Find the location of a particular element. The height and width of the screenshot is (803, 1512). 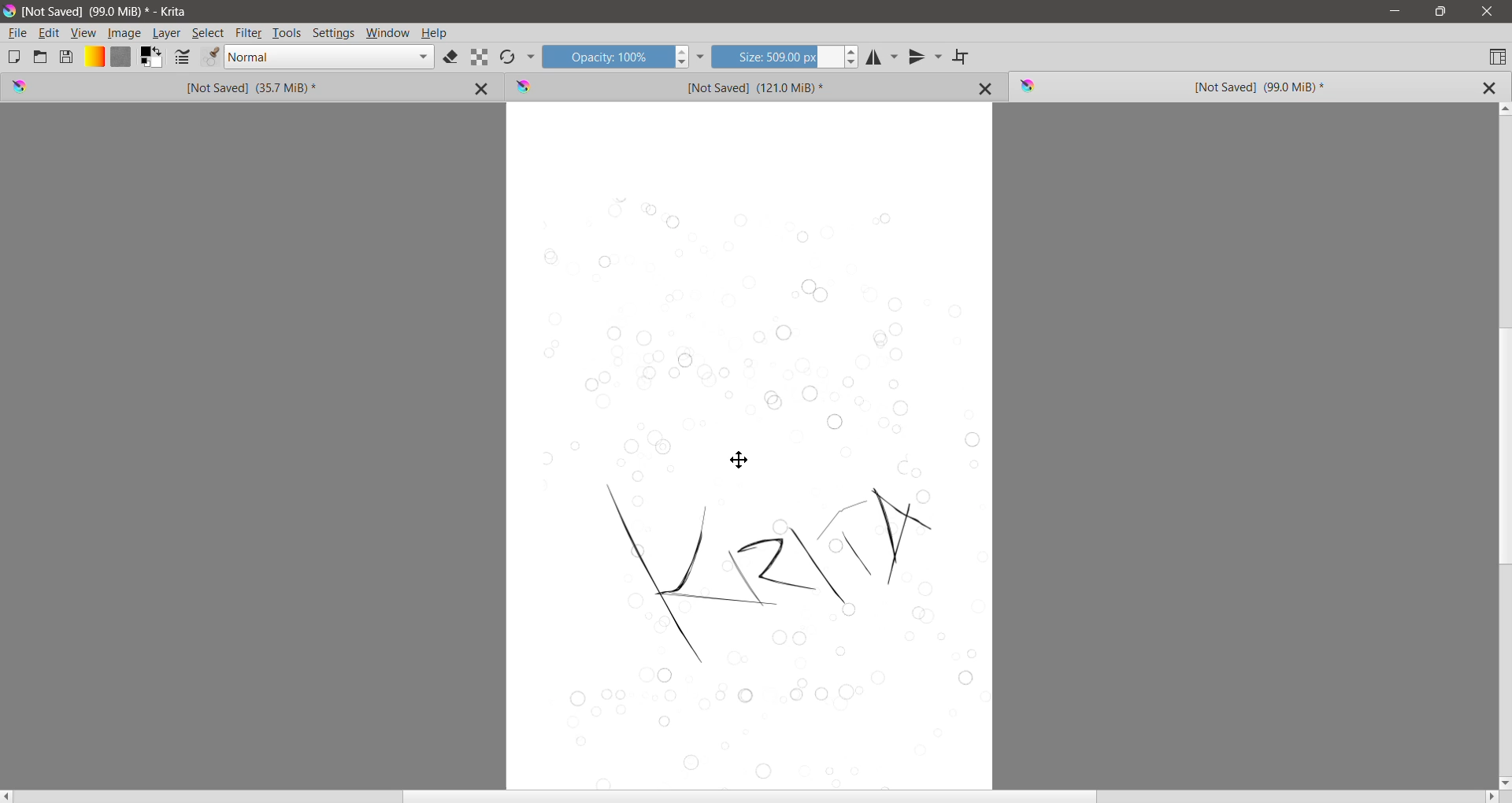

Choose Workspace is located at coordinates (1497, 56).